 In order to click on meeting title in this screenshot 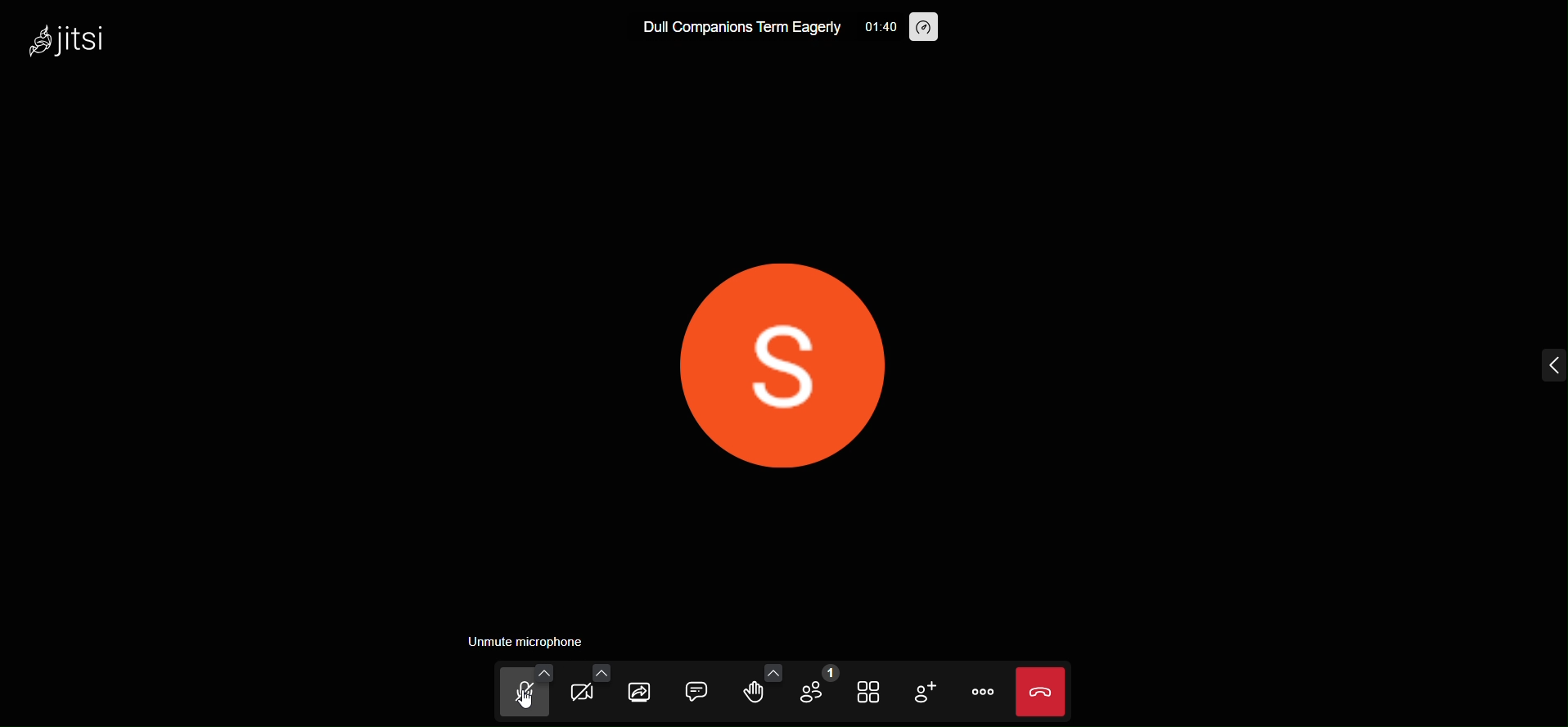, I will do `click(741, 31)`.